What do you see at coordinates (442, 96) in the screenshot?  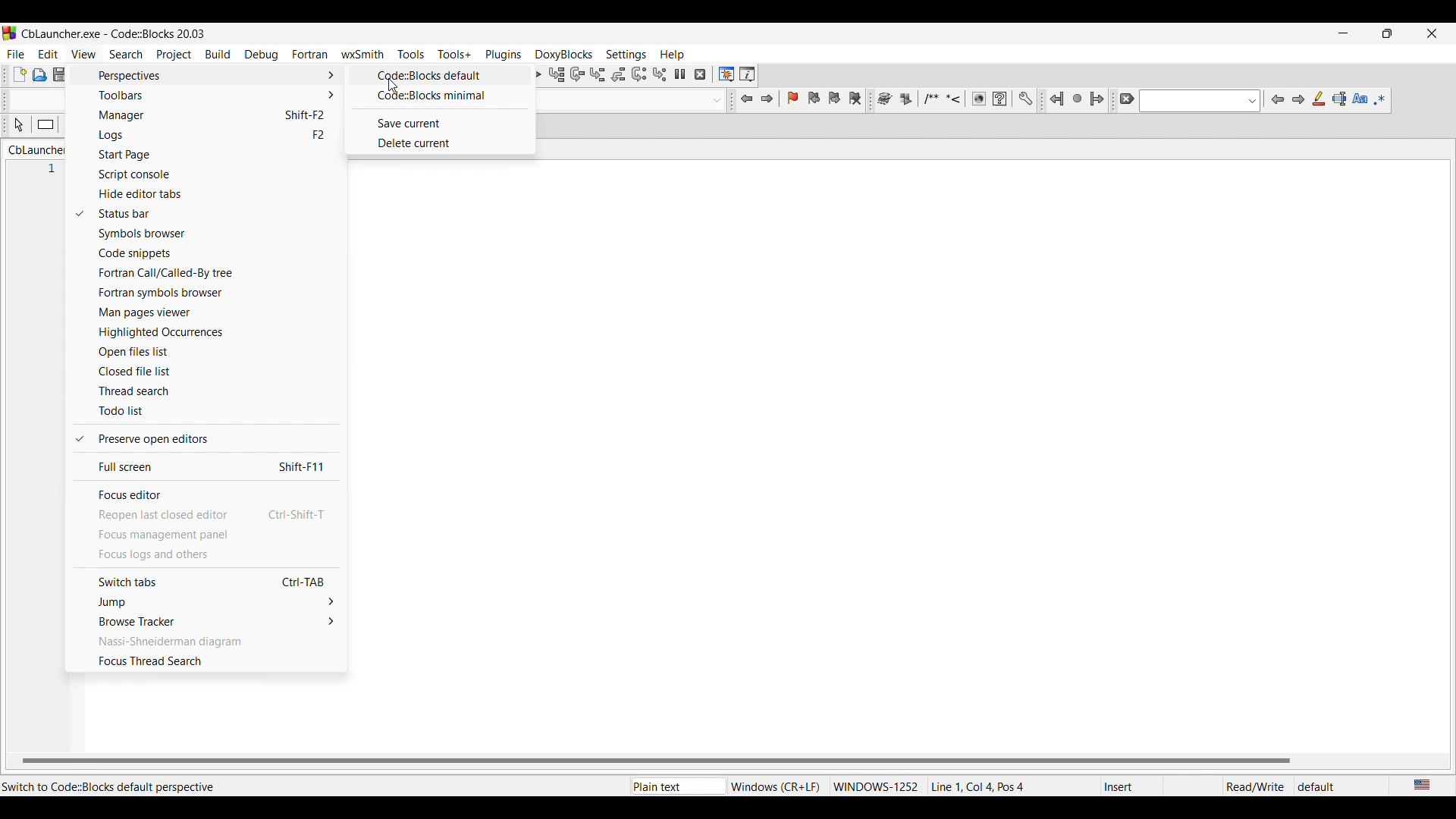 I see `Code::Blocks minimal` at bounding box center [442, 96].